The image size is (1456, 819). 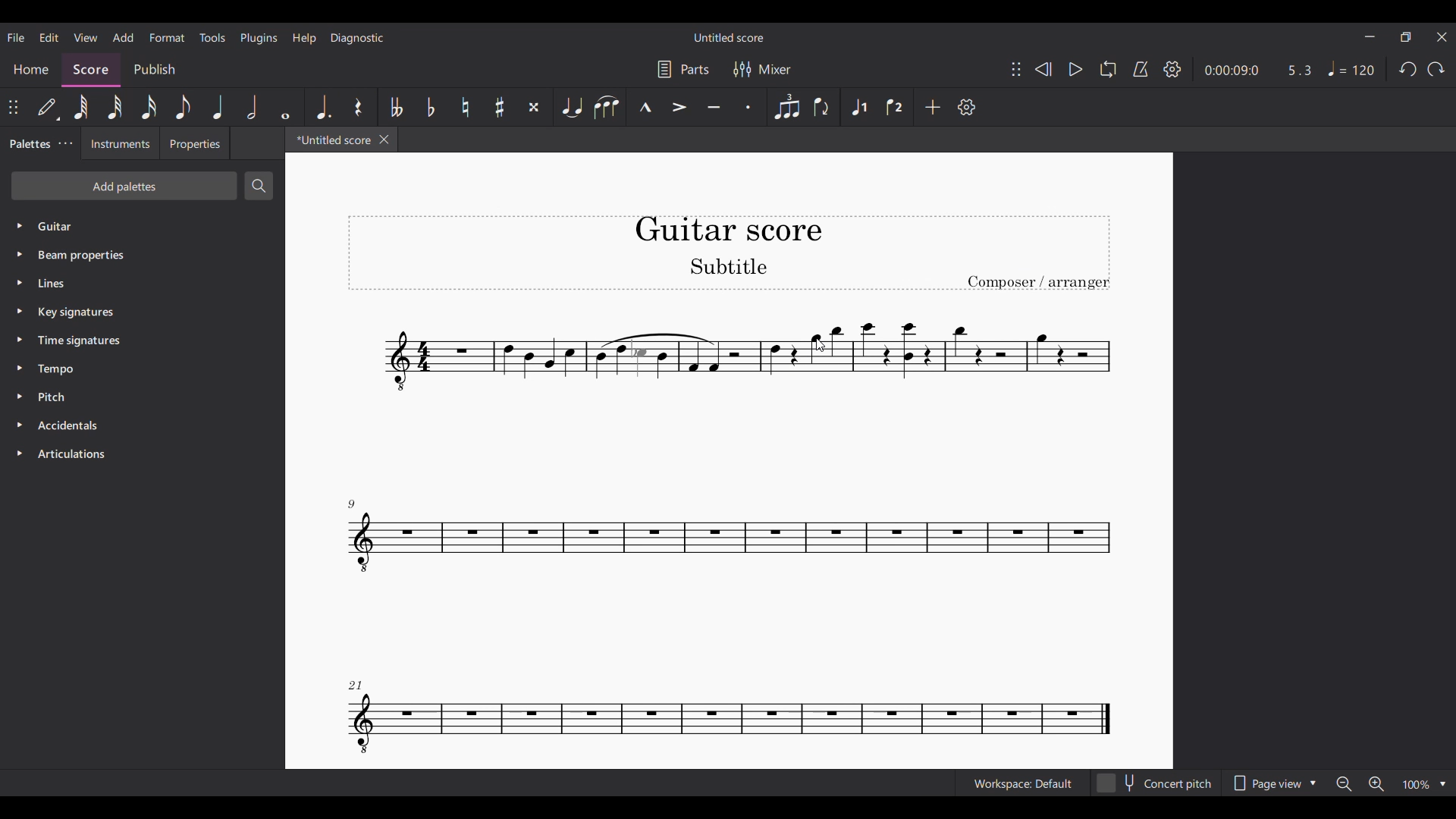 I want to click on Change position, so click(x=13, y=107).